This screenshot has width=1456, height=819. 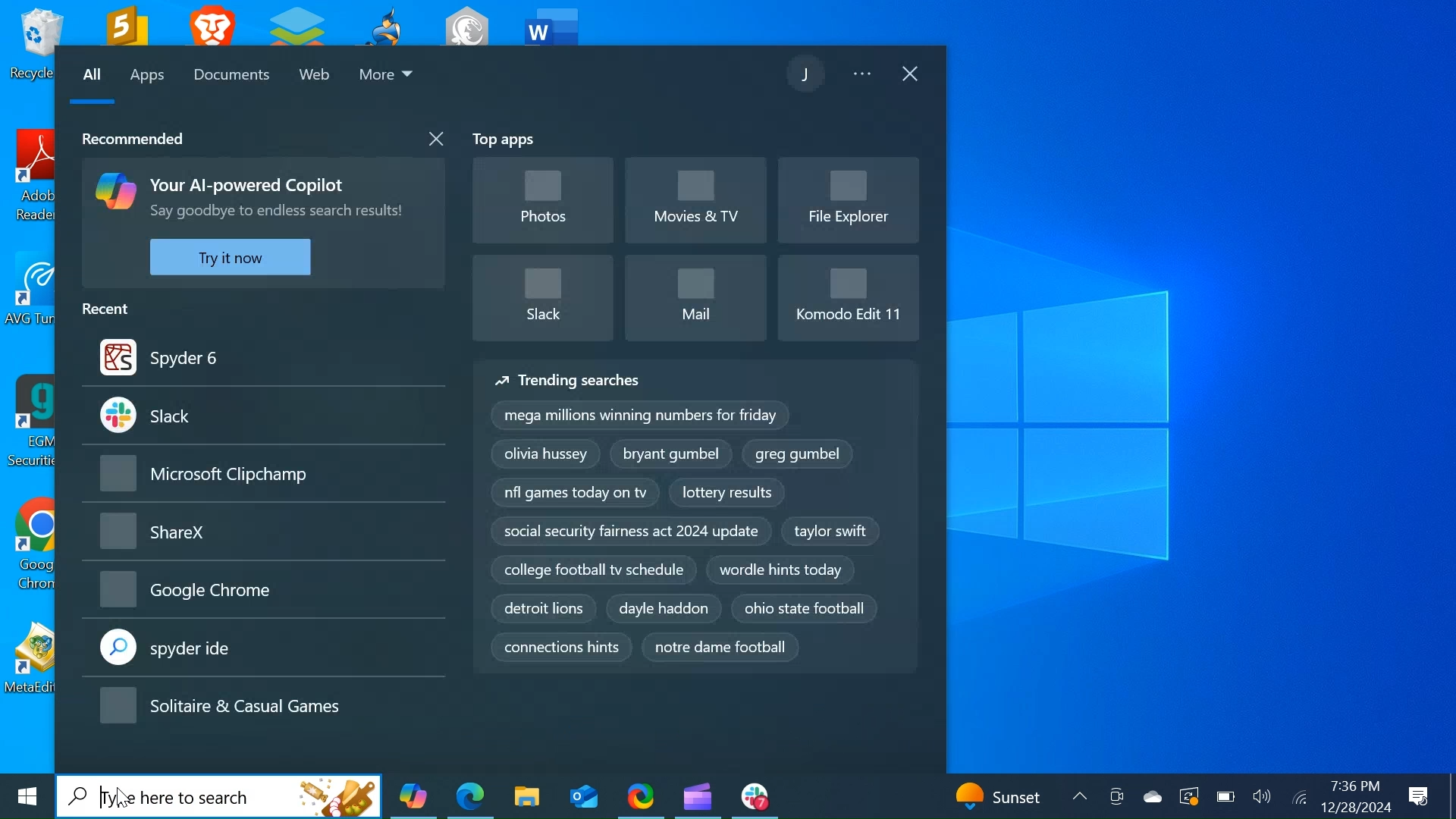 I want to click on More, so click(x=388, y=77).